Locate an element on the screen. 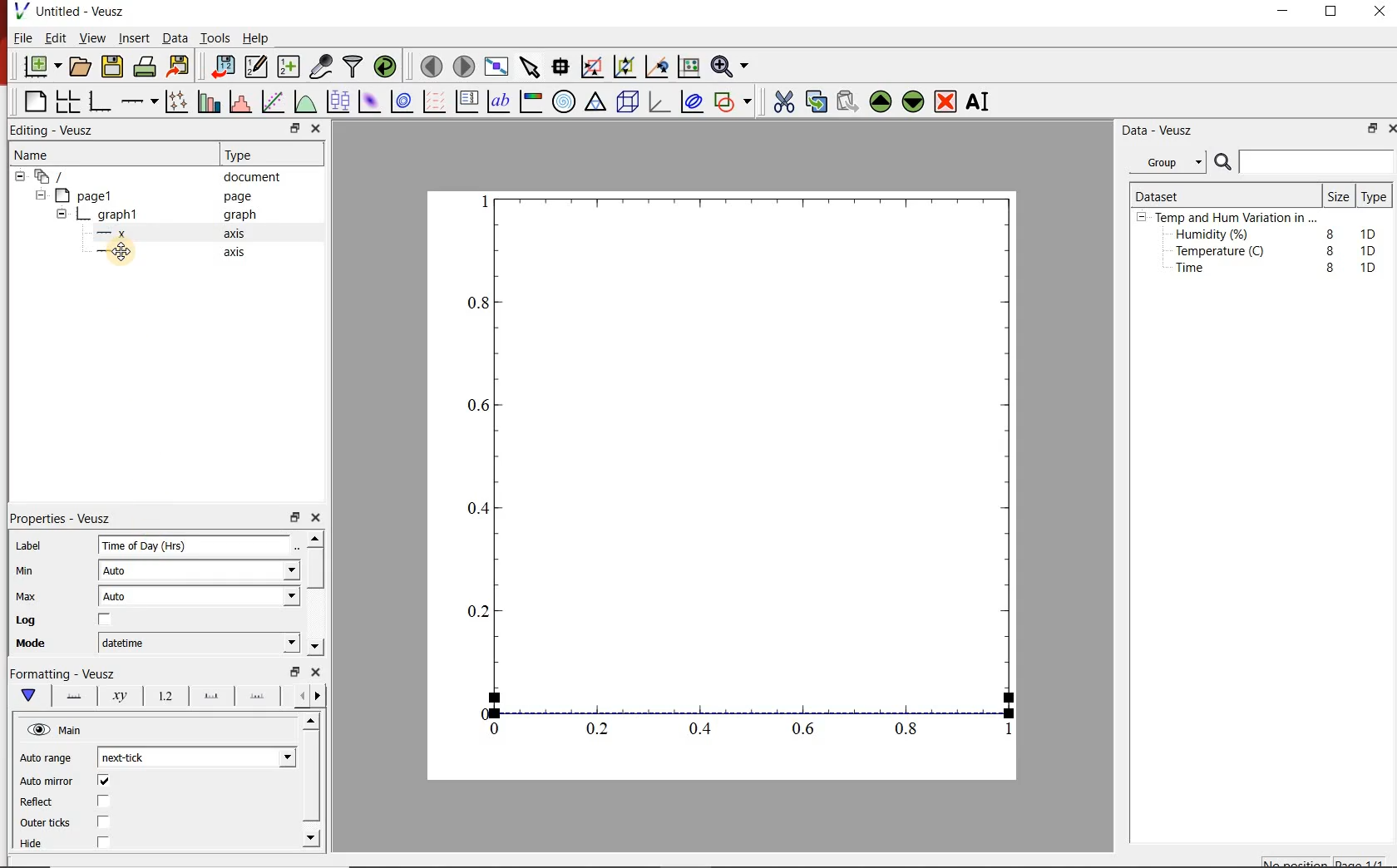 The width and height of the screenshot is (1397, 868). polar graph is located at coordinates (565, 103).